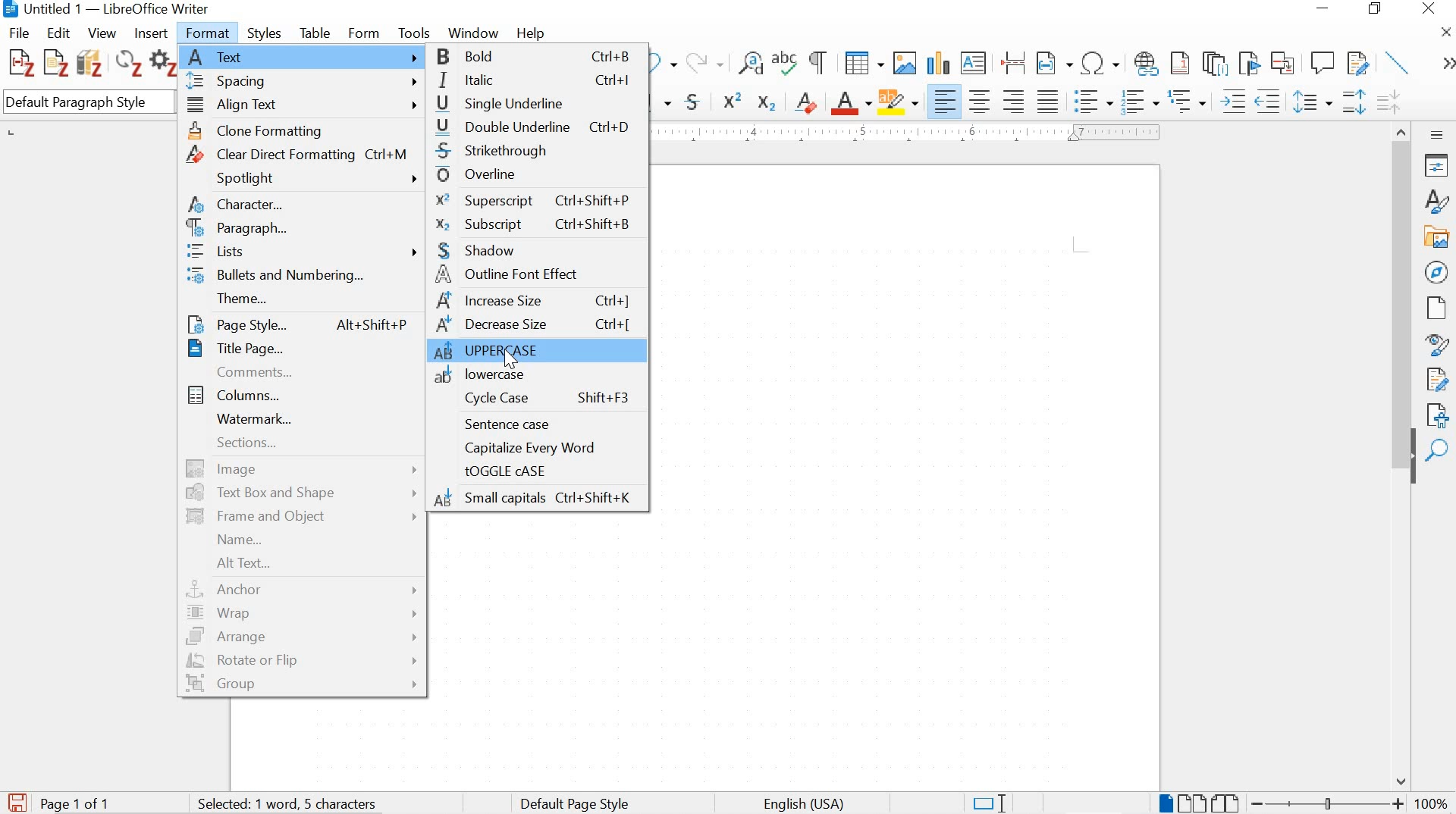 This screenshot has width=1456, height=814. What do you see at coordinates (734, 100) in the screenshot?
I see `superscript` at bounding box center [734, 100].